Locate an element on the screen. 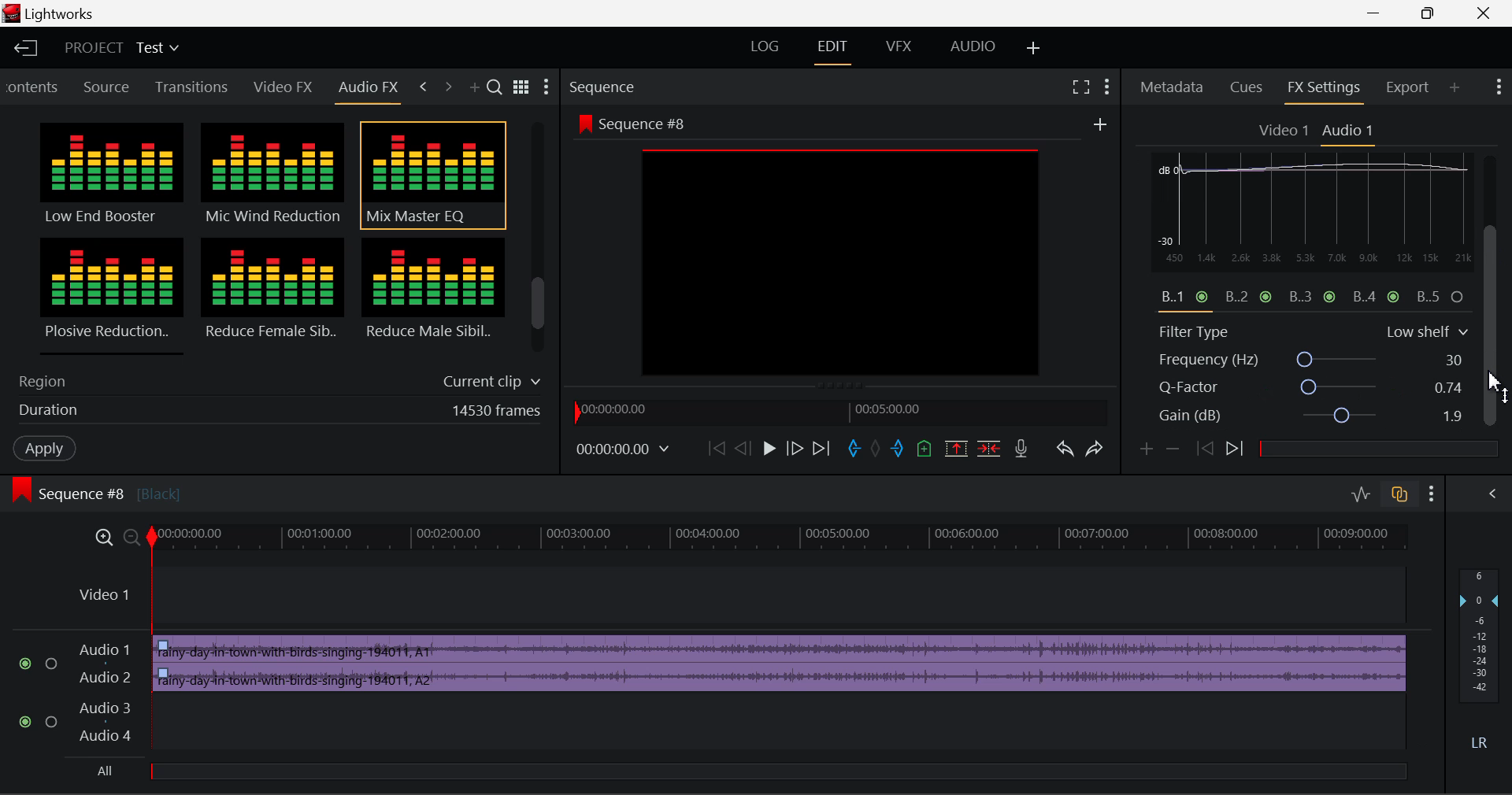 This screenshot has width=1512, height=795. Video 1 is located at coordinates (1284, 131).